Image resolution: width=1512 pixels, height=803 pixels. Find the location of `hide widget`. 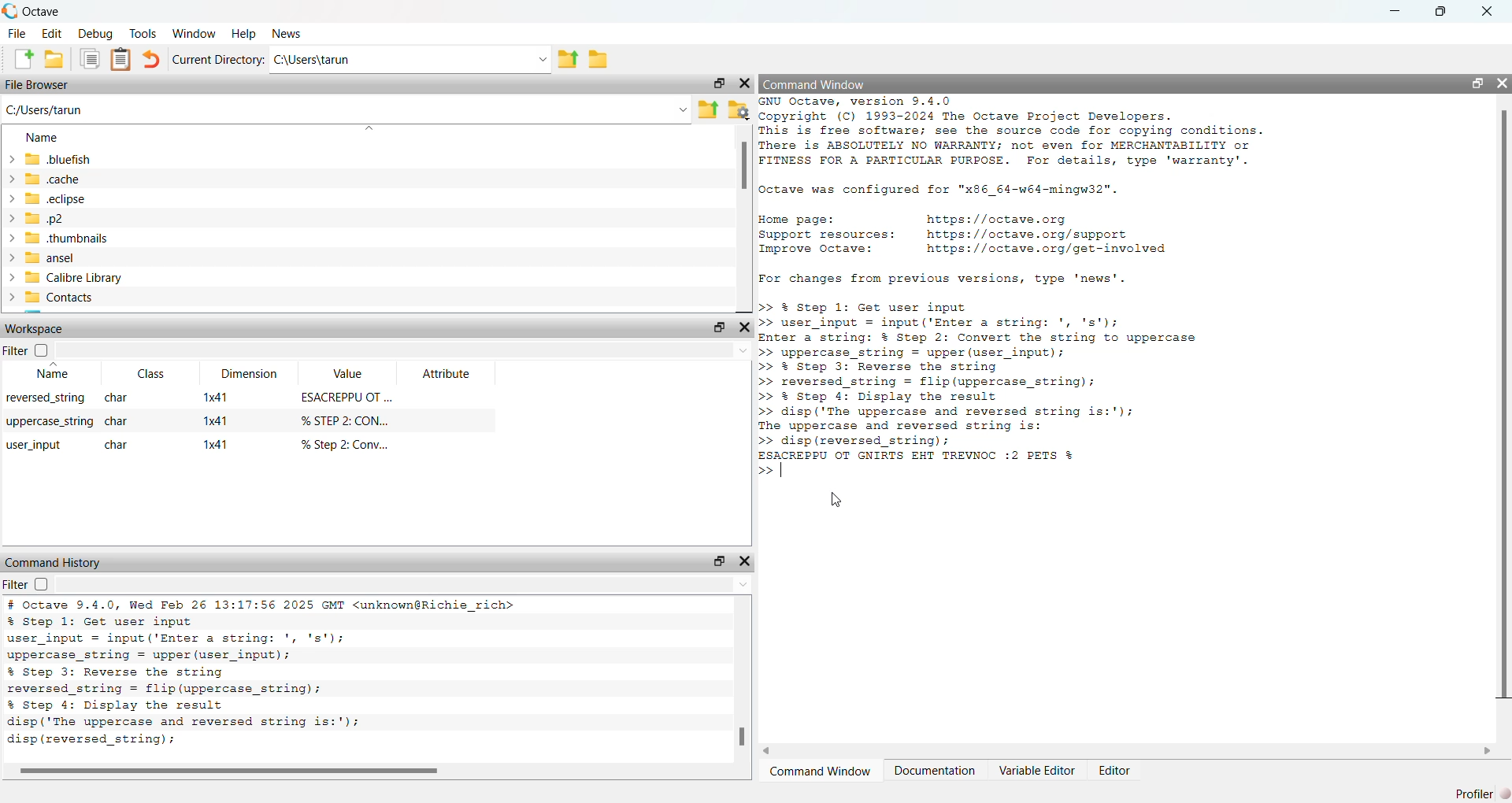

hide widget is located at coordinates (1503, 82).